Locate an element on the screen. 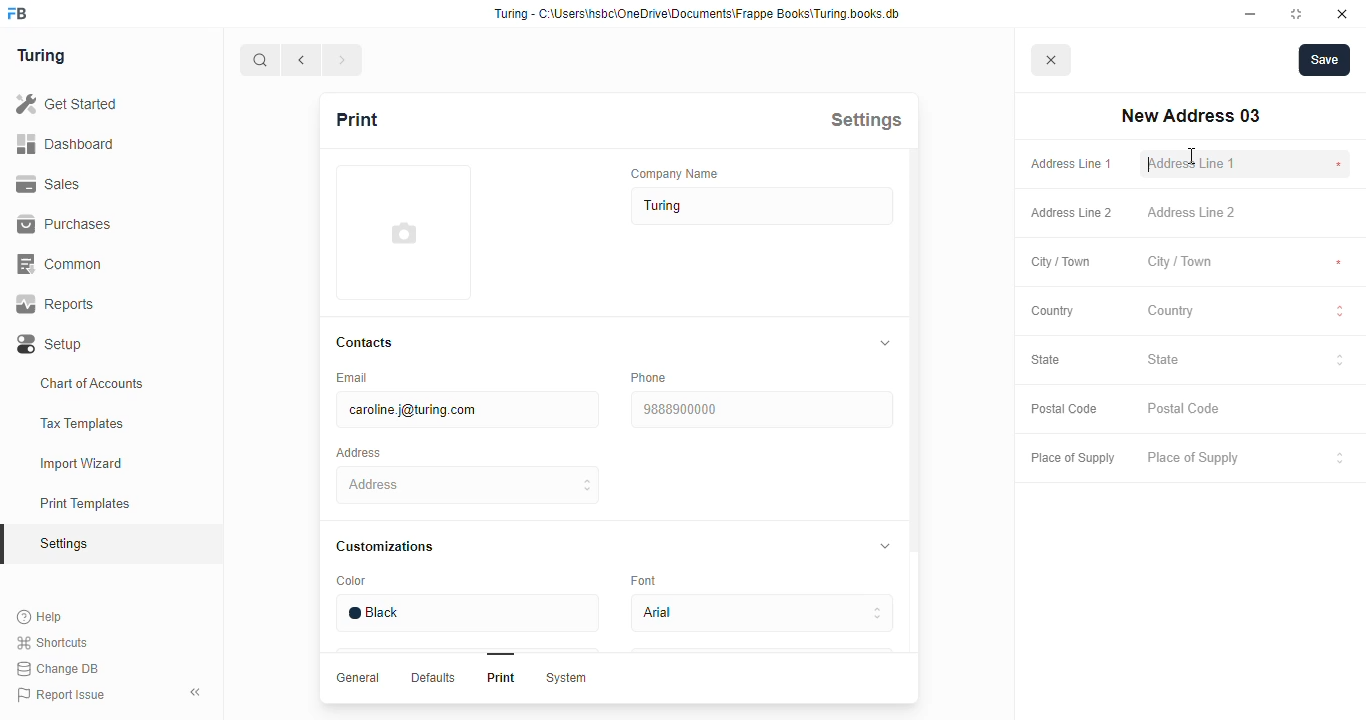  dashboard is located at coordinates (65, 143).